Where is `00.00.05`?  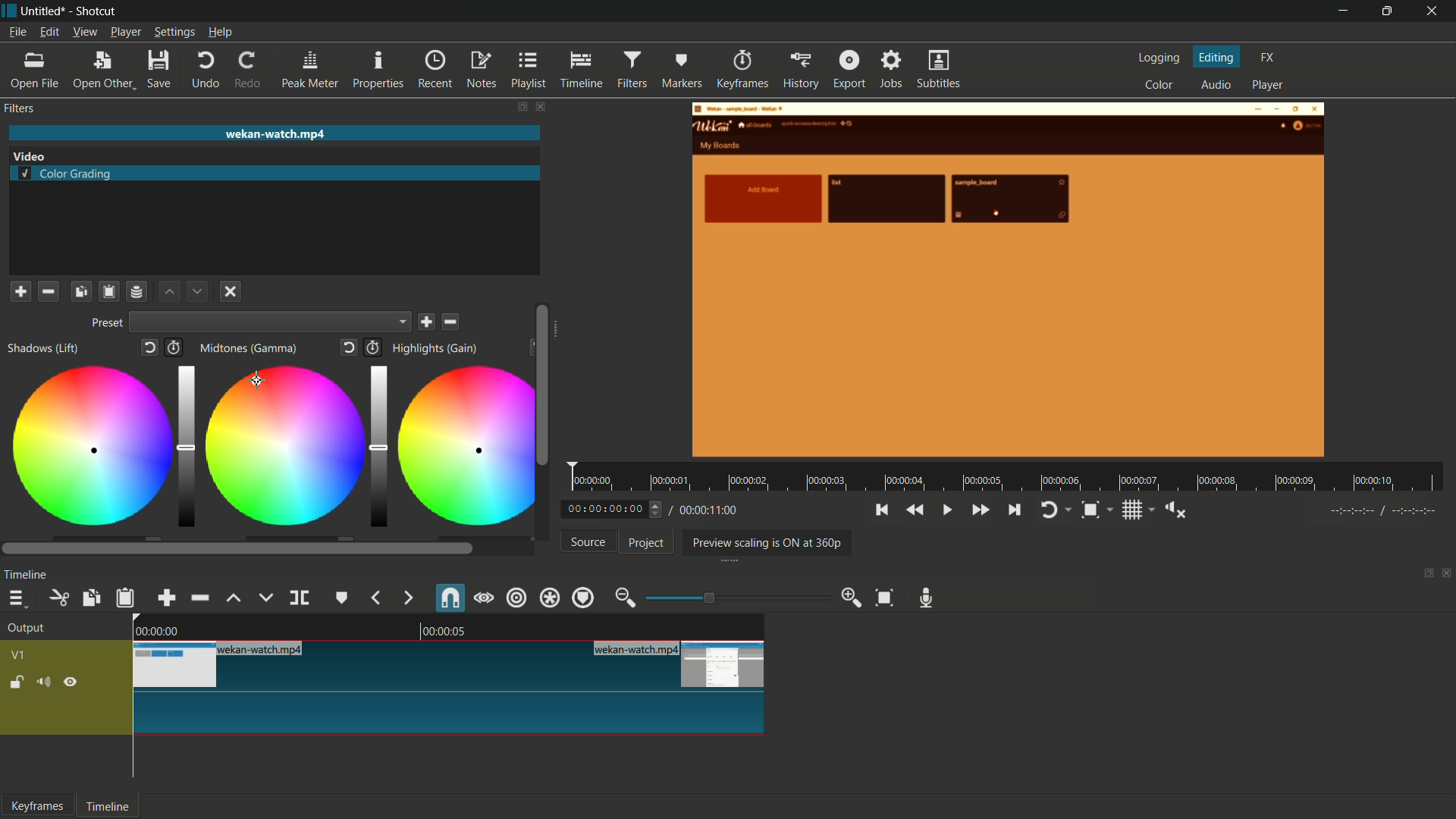 00.00.05 is located at coordinates (457, 632).